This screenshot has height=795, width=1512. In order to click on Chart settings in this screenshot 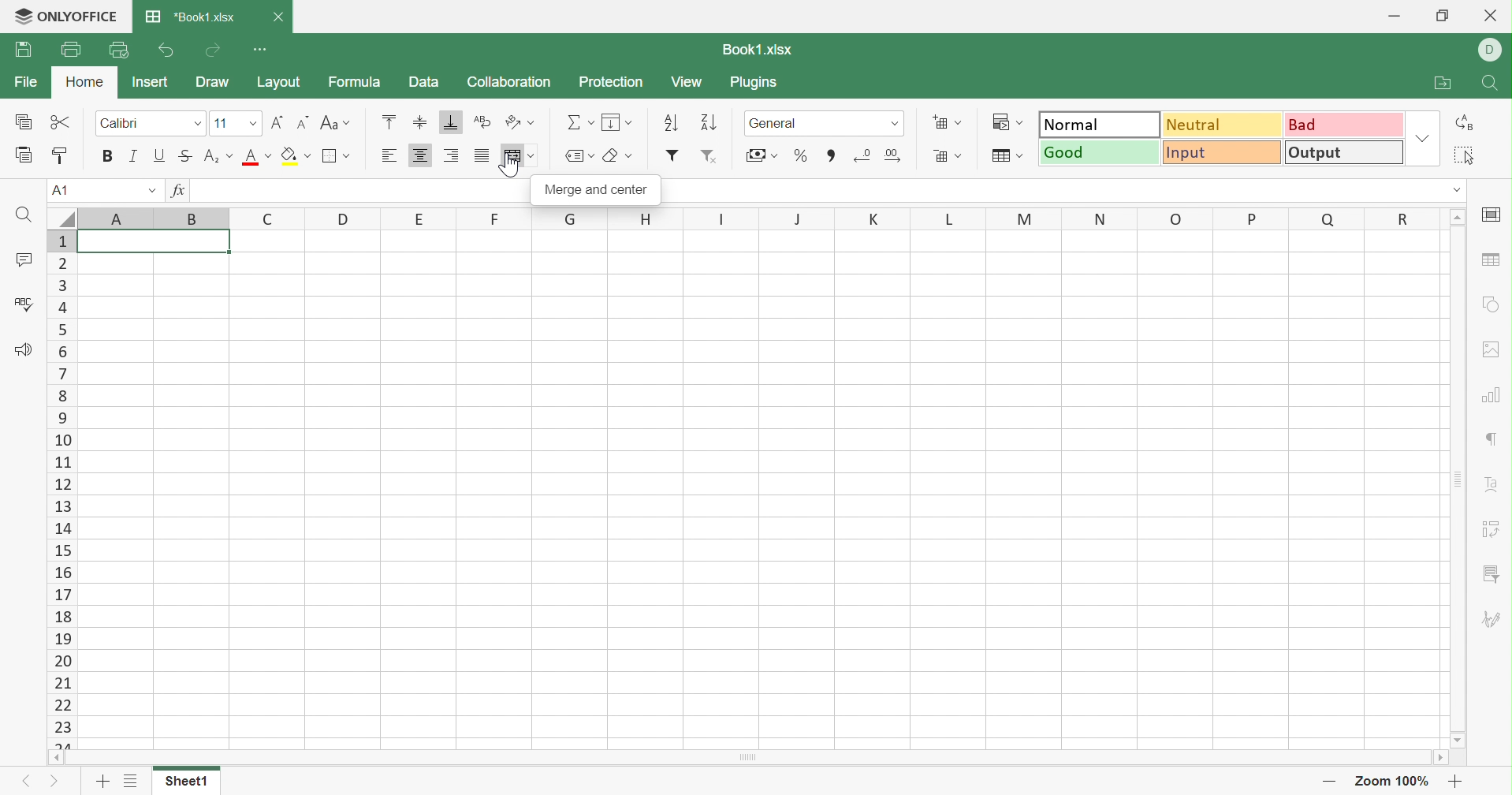, I will do `click(1490, 391)`.